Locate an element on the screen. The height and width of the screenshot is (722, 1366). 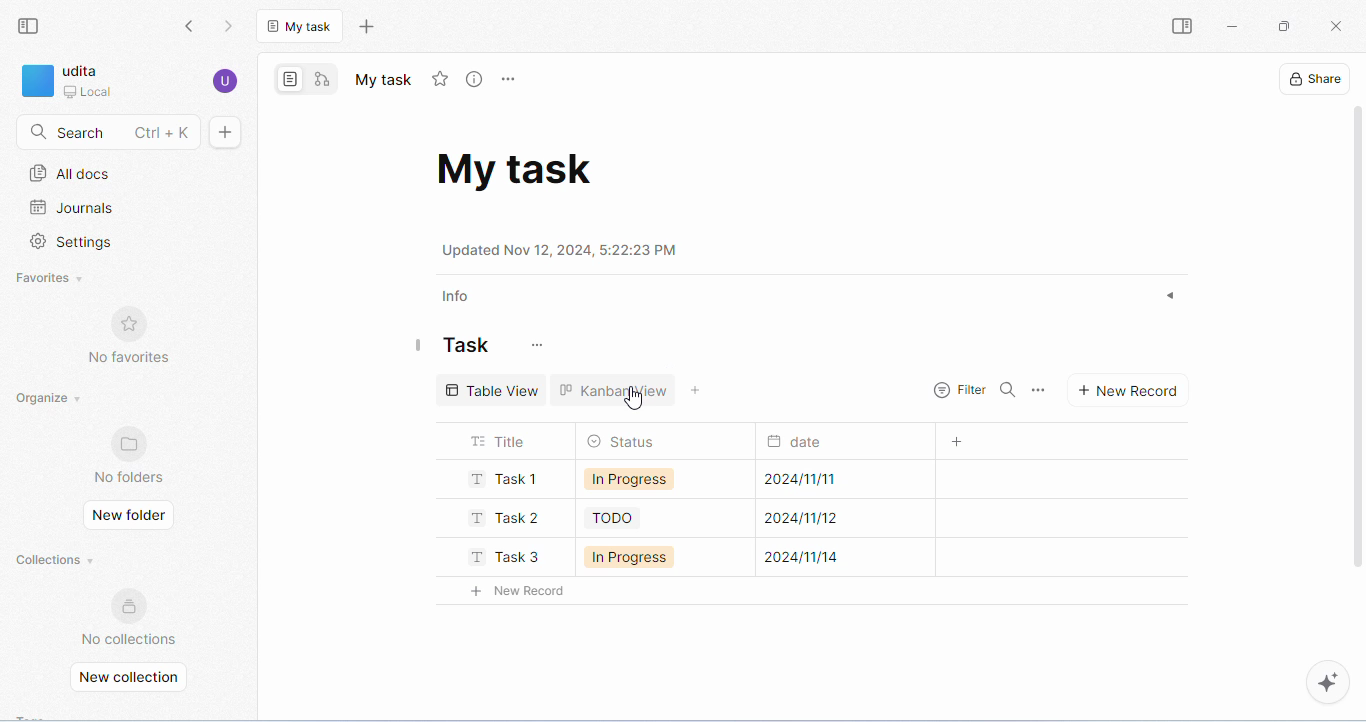
settings is located at coordinates (72, 243).